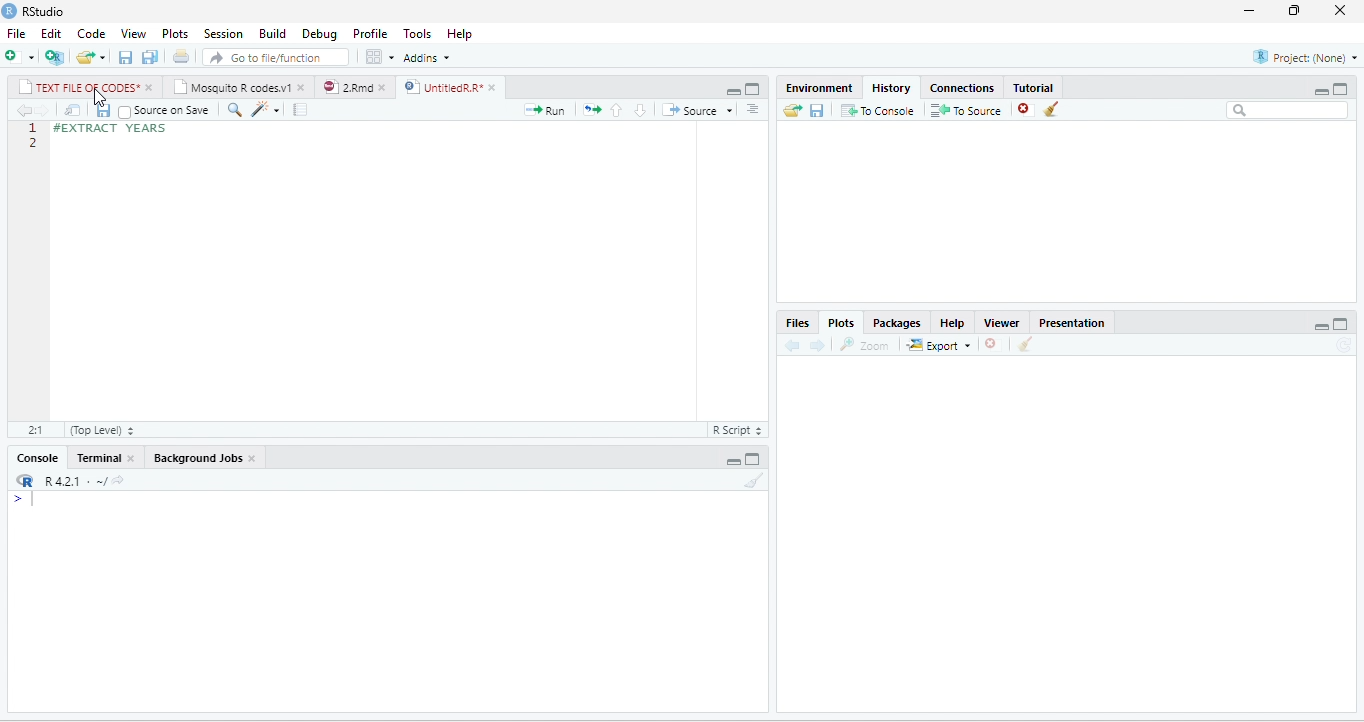  I want to click on down, so click(640, 110).